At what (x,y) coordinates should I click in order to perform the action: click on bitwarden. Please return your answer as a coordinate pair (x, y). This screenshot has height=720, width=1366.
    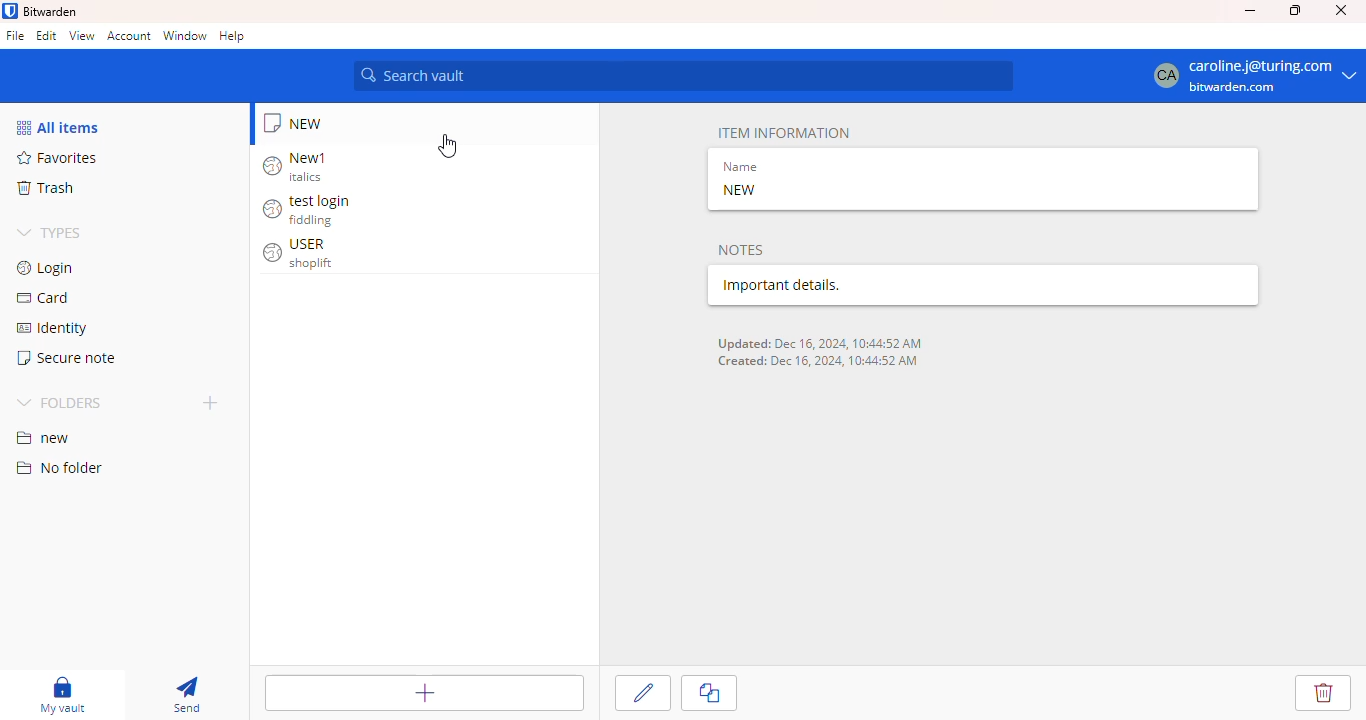
    Looking at the image, I should click on (51, 11).